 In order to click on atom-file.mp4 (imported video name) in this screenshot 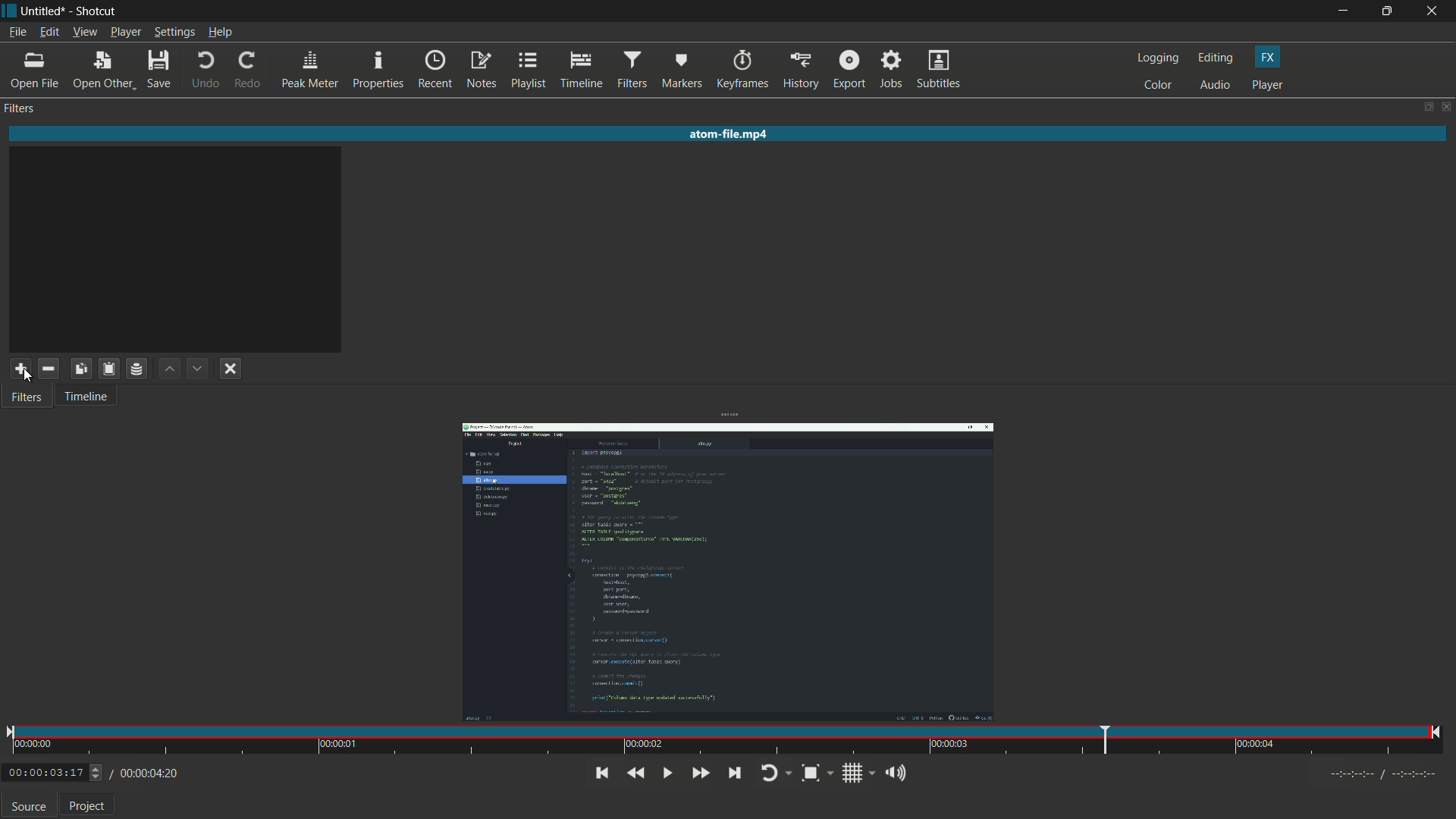, I will do `click(732, 135)`.